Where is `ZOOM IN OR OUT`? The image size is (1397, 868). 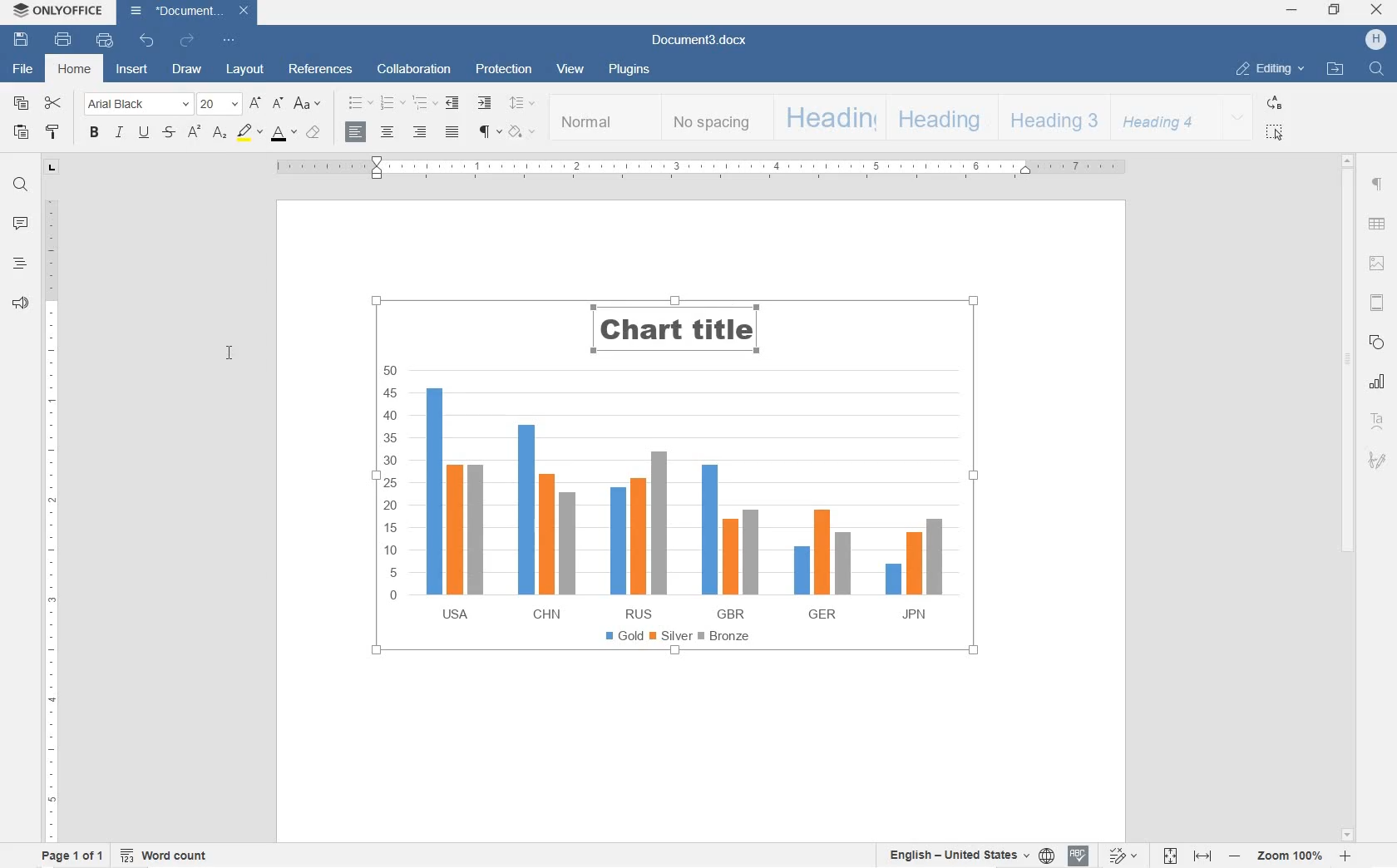
ZOOM IN OR OUT is located at coordinates (1292, 854).